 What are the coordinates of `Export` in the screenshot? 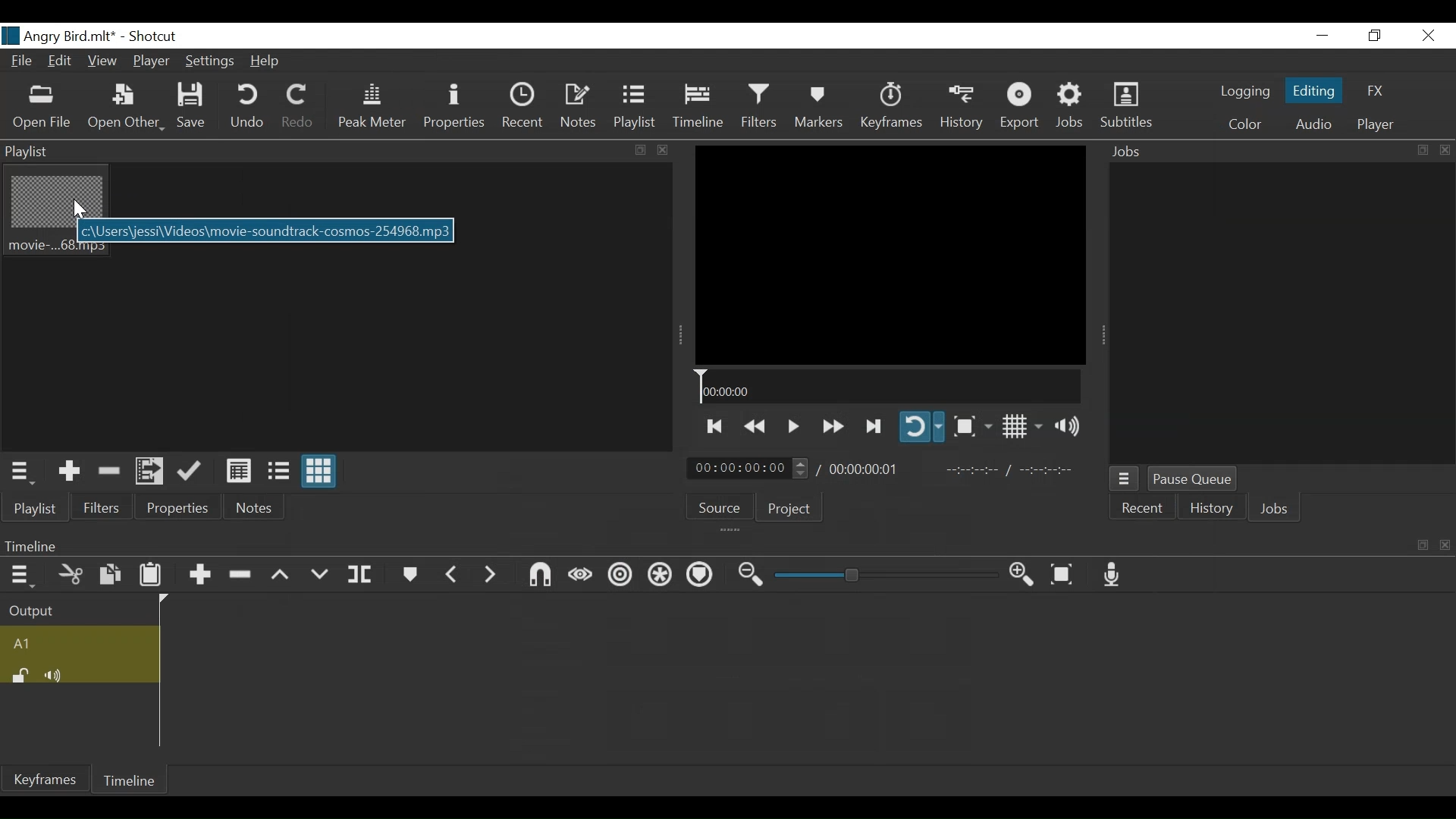 It's located at (1021, 108).